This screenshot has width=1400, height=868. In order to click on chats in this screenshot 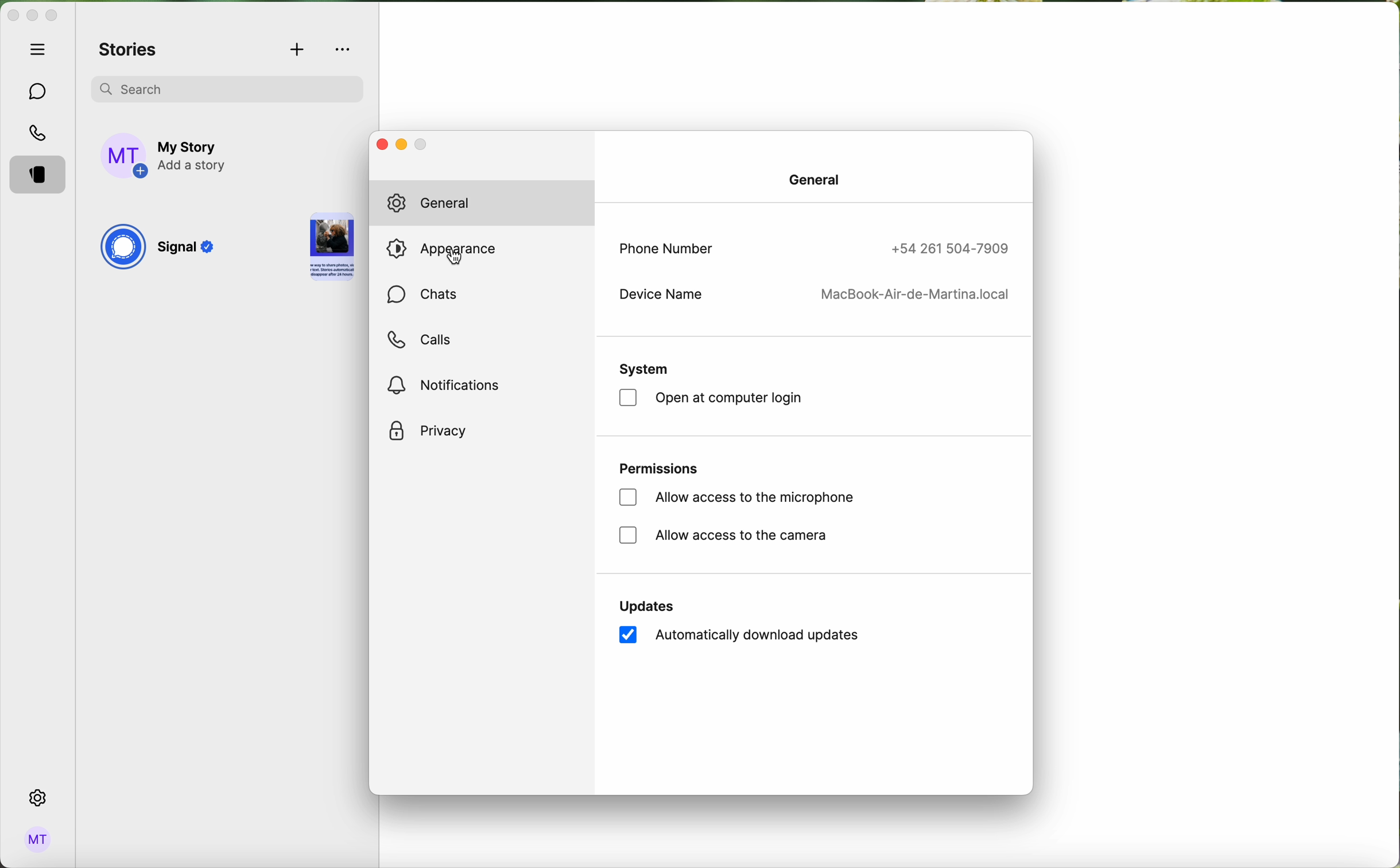, I will do `click(422, 296)`.